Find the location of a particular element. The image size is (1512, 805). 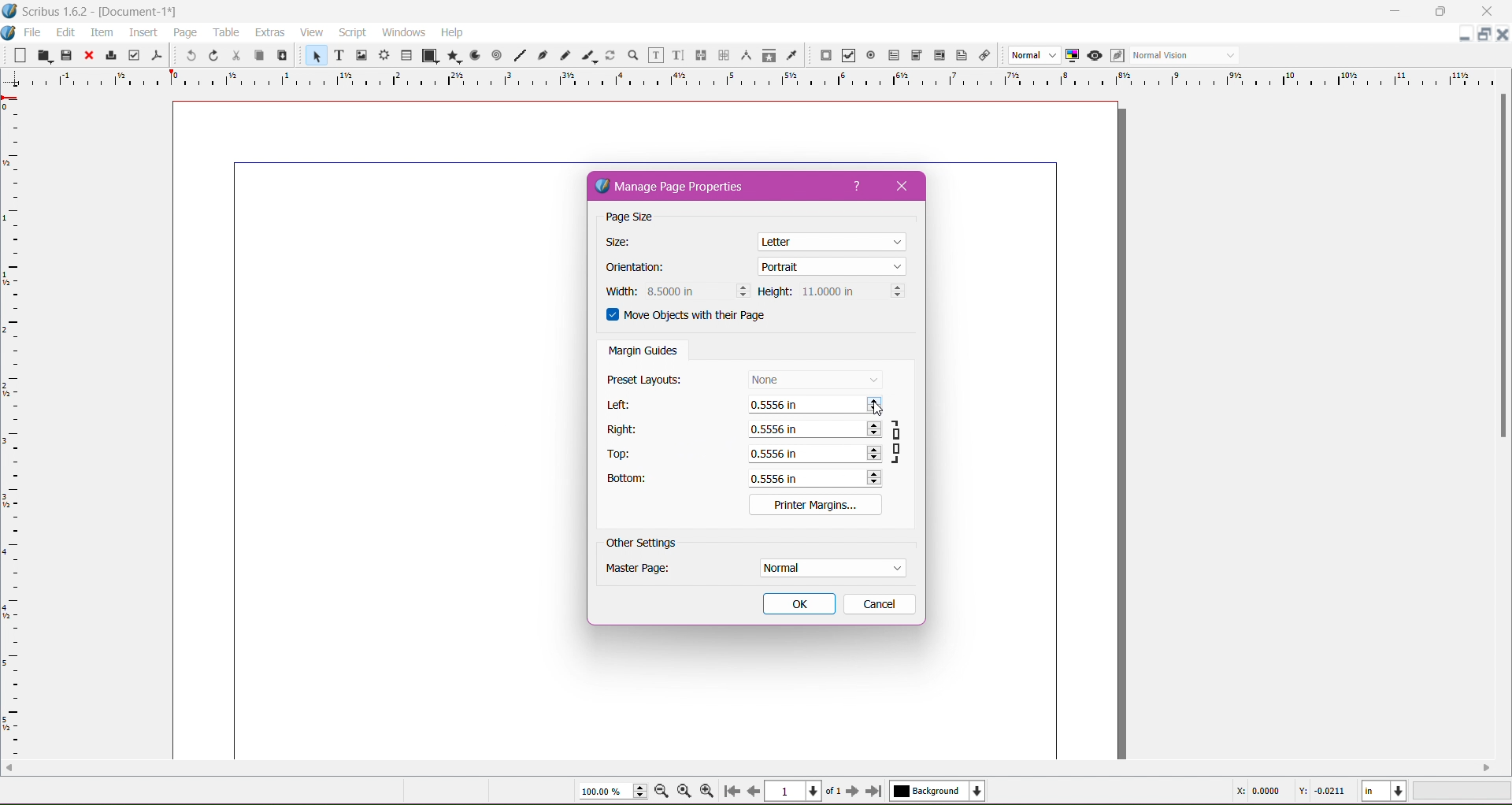

Restore Down Document is located at coordinates (1485, 34).